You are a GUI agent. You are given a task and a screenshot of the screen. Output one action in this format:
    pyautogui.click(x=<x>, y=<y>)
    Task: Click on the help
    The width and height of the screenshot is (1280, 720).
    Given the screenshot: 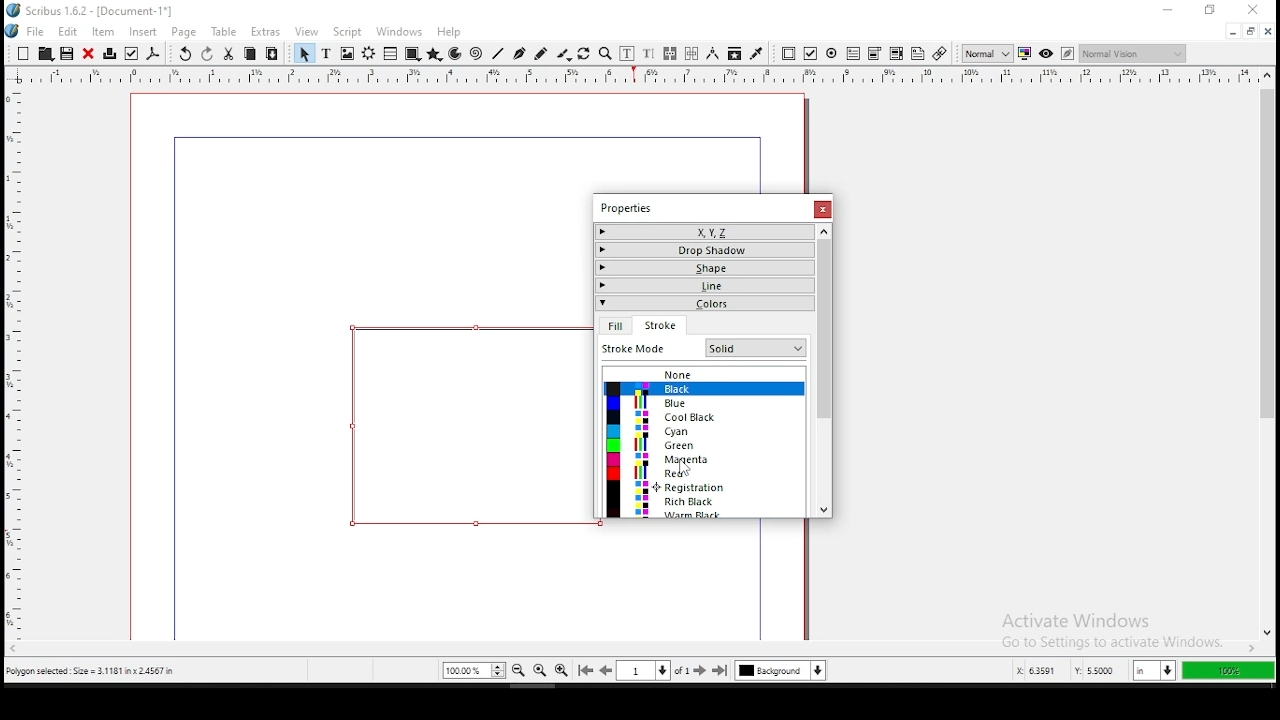 What is the action you would take?
    pyautogui.click(x=449, y=32)
    